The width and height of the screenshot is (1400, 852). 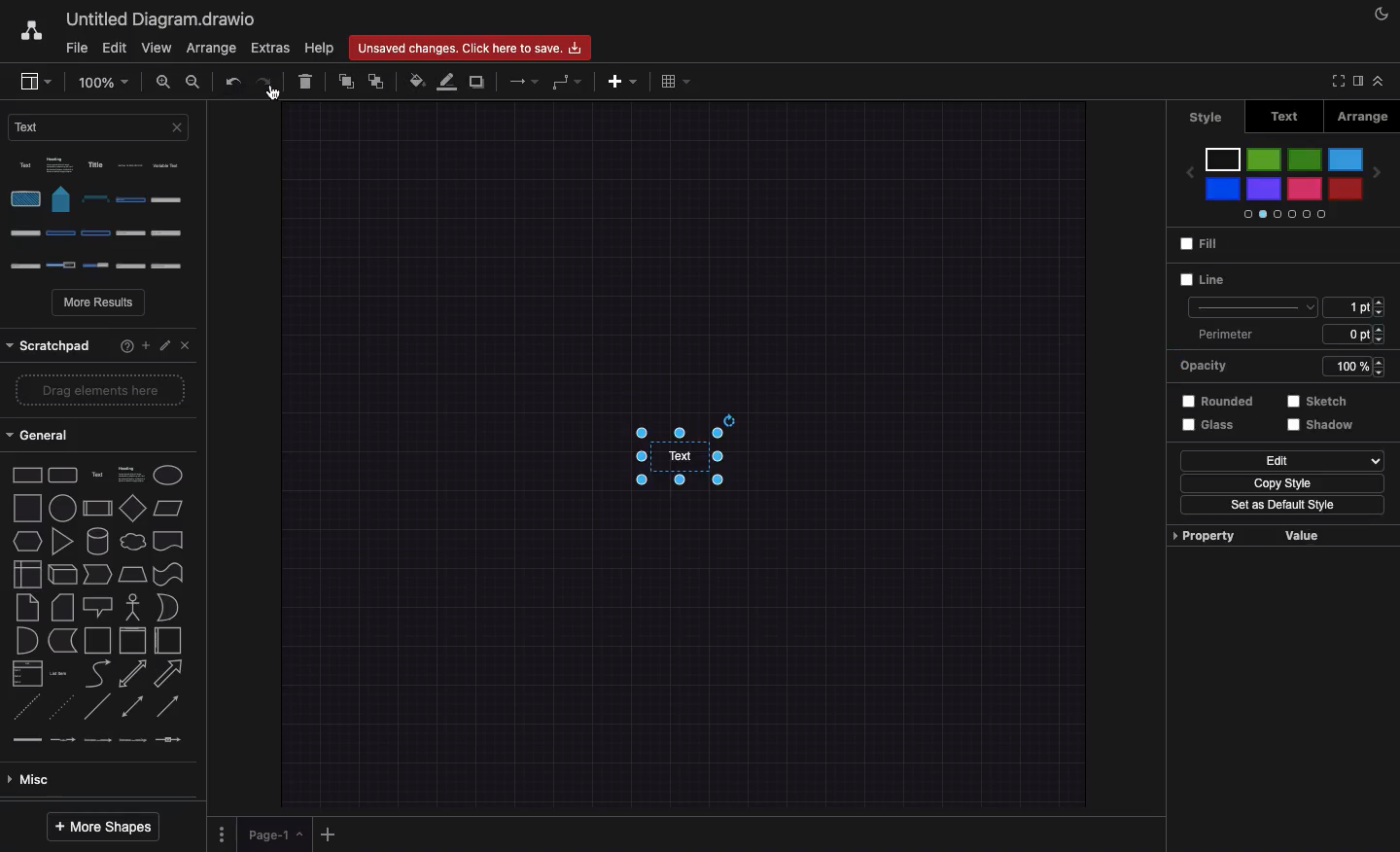 I want to click on Style, so click(x=1209, y=115).